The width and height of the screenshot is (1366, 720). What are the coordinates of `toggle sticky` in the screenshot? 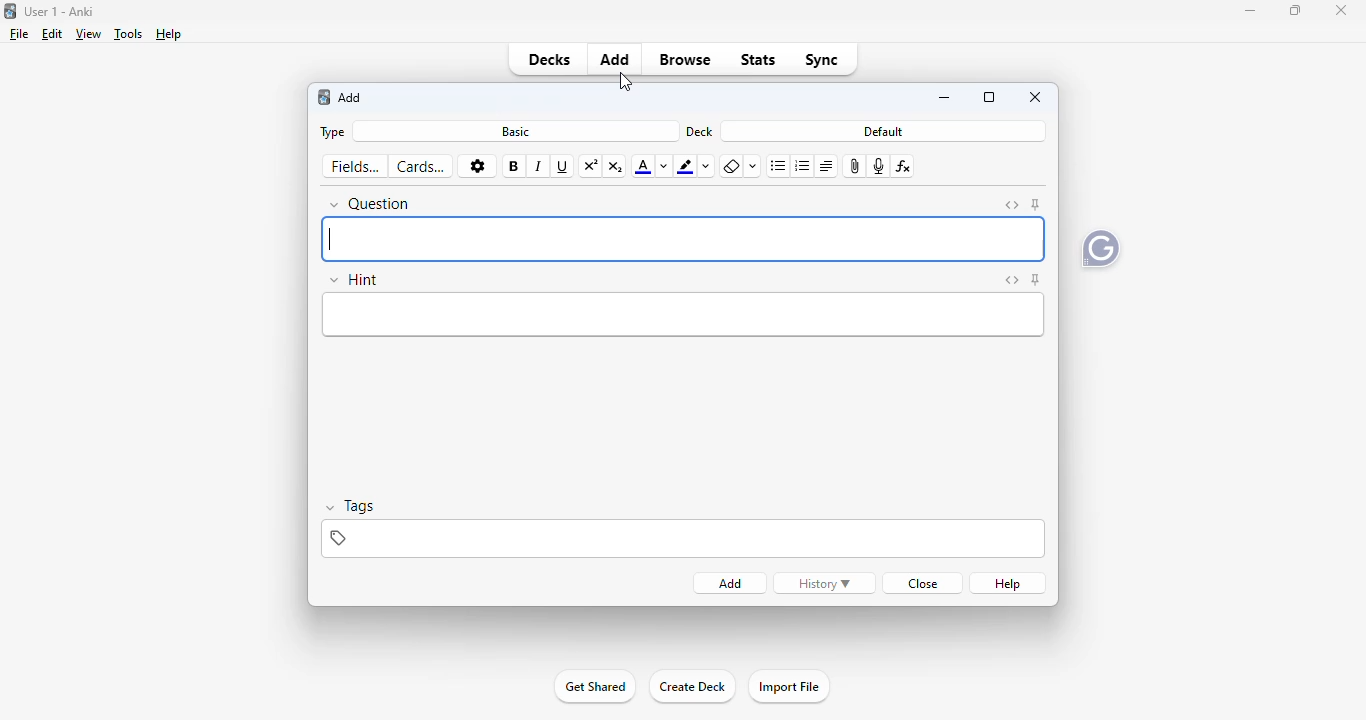 It's located at (1036, 279).